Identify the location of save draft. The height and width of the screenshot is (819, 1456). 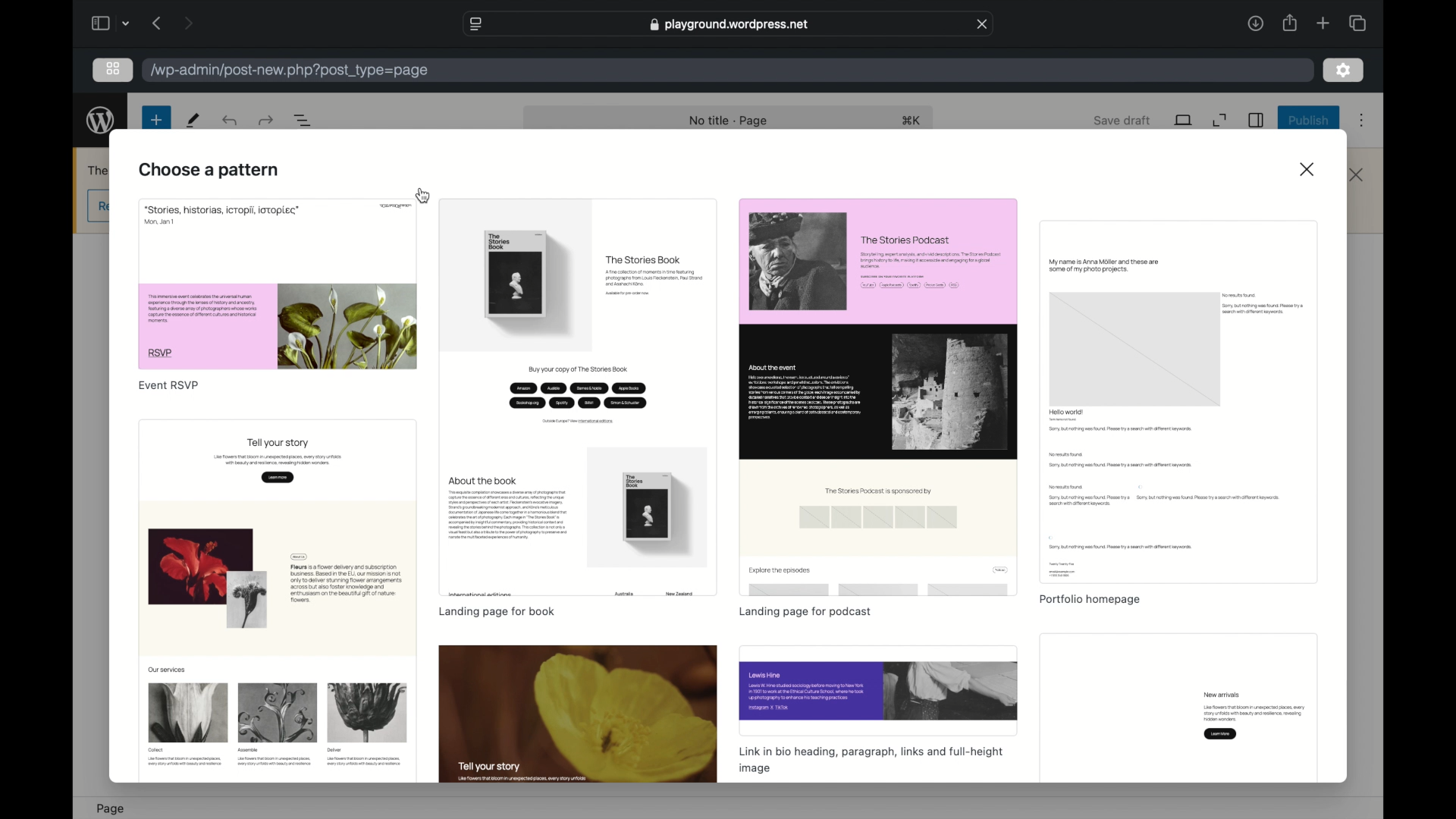
(1122, 120).